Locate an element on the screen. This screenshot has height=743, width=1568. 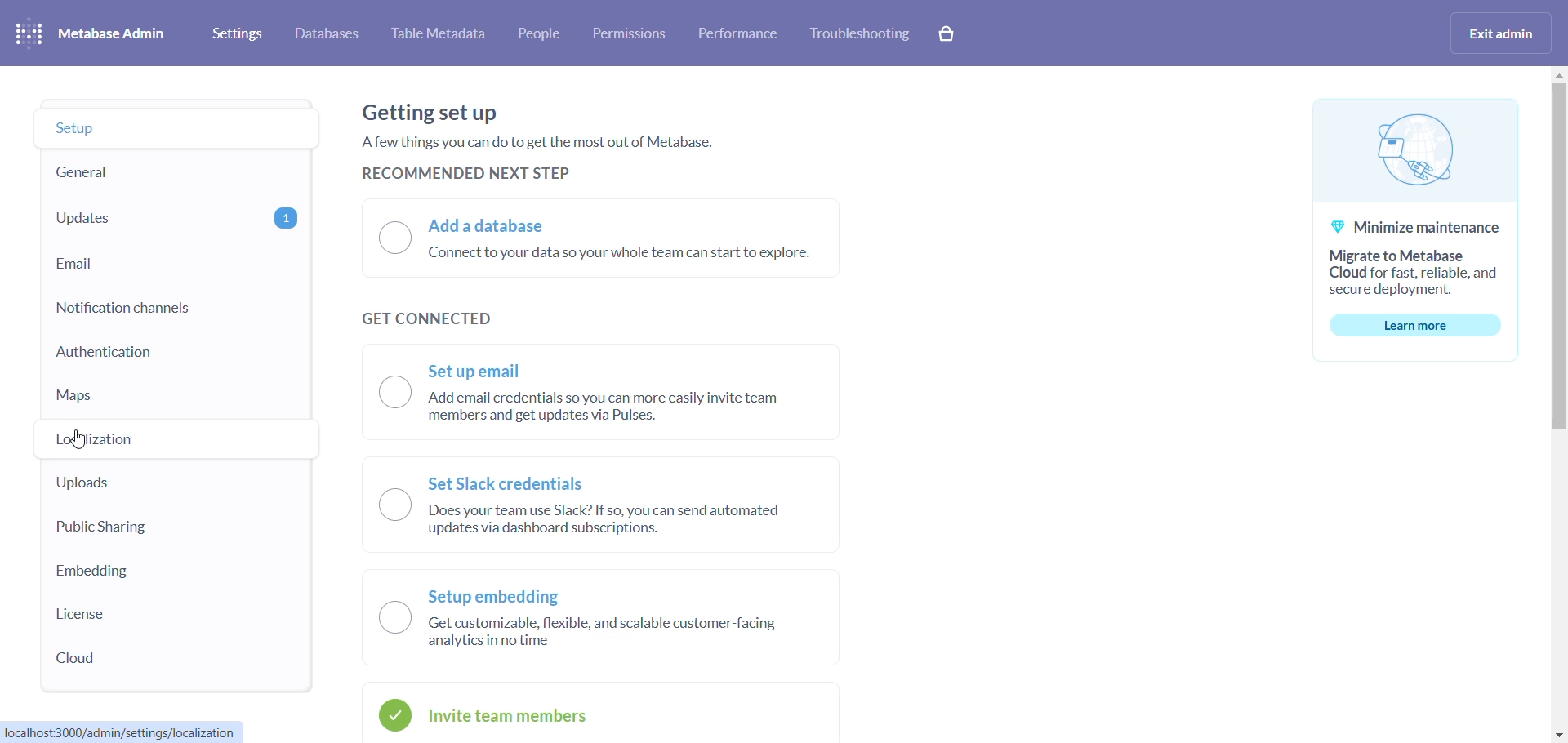
general is located at coordinates (151, 173).